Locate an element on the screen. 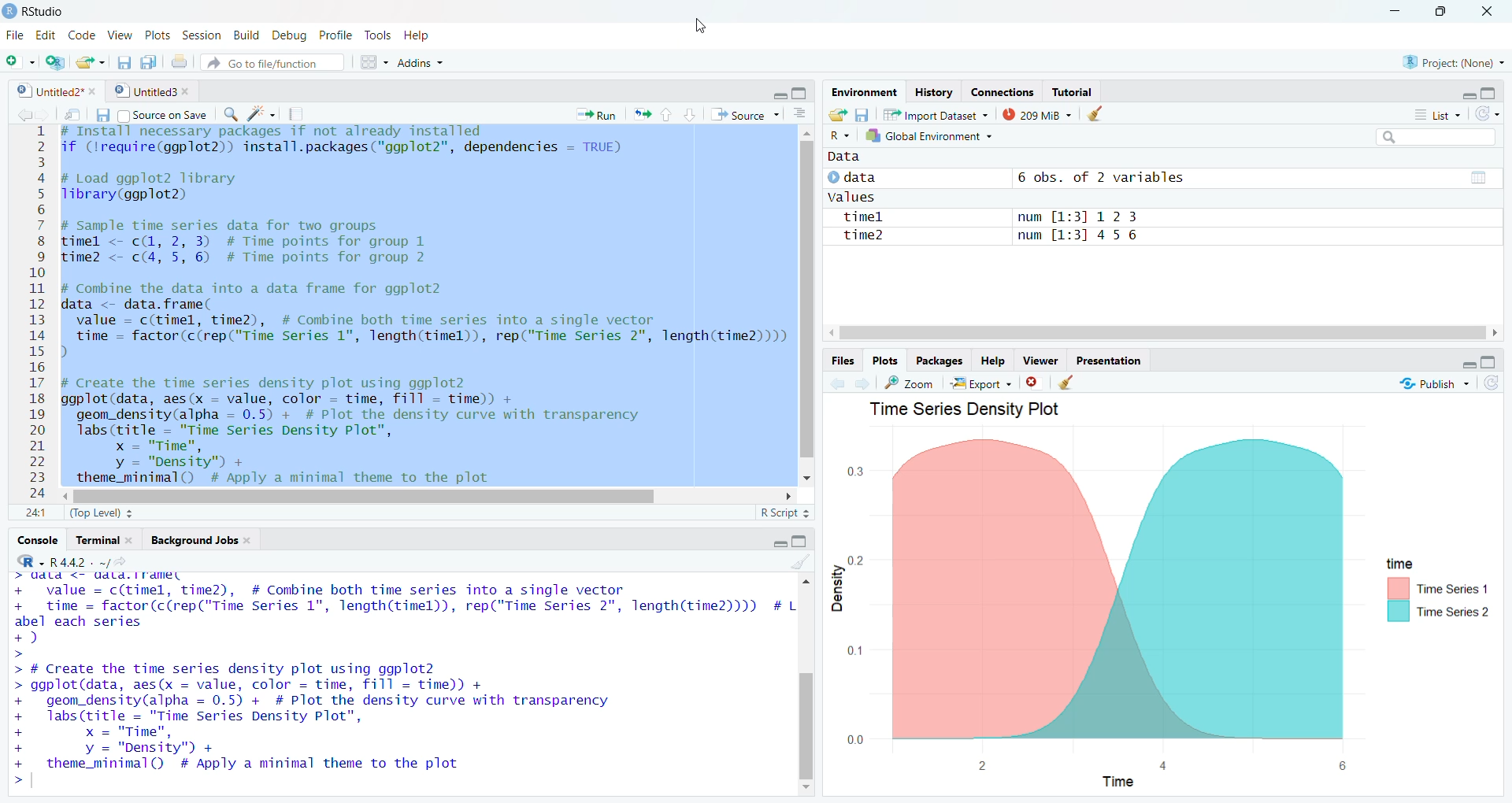  Connections is located at coordinates (1002, 91).